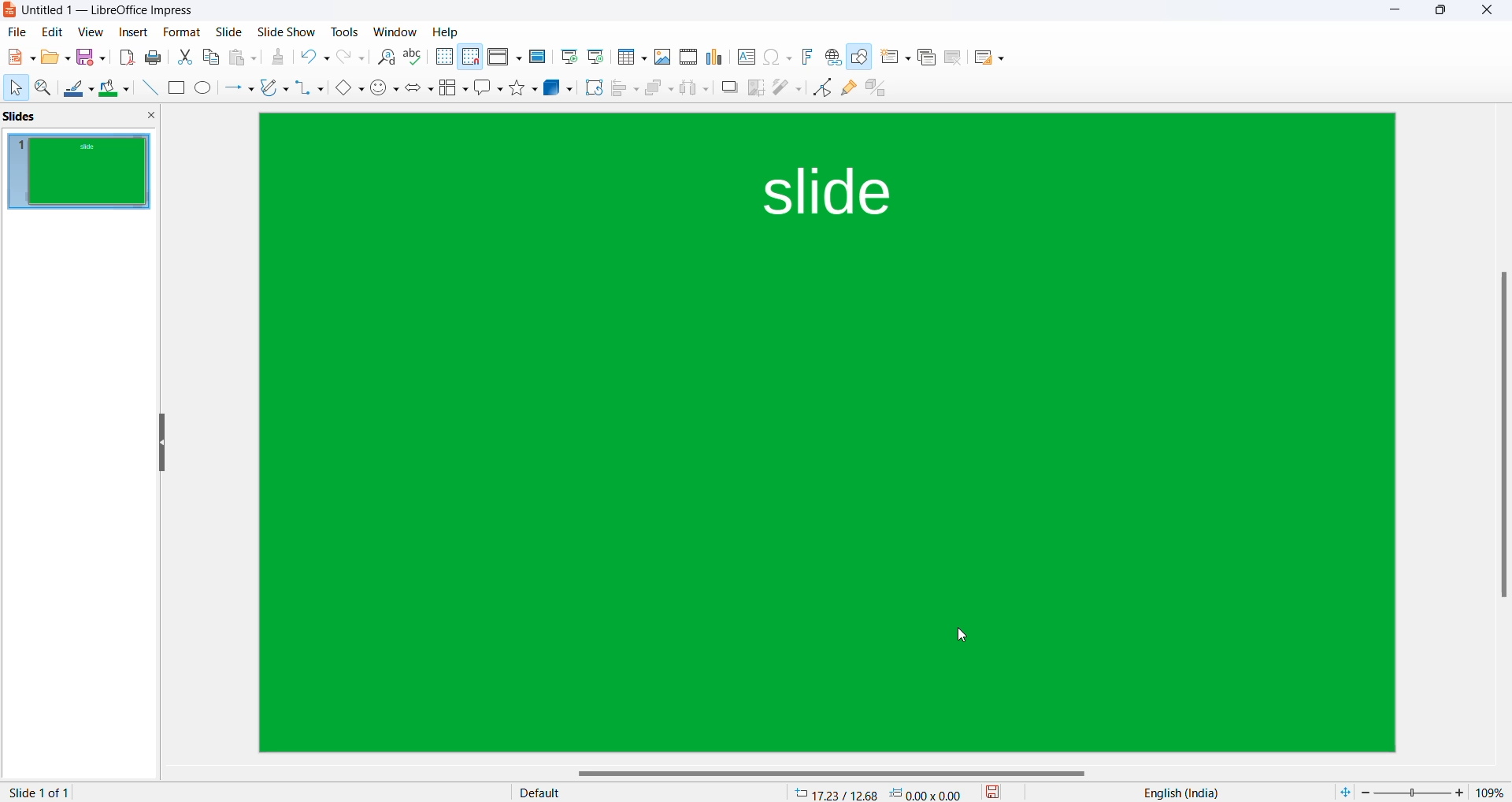 The width and height of the screenshot is (1512, 802). I want to click on line color, so click(79, 90).